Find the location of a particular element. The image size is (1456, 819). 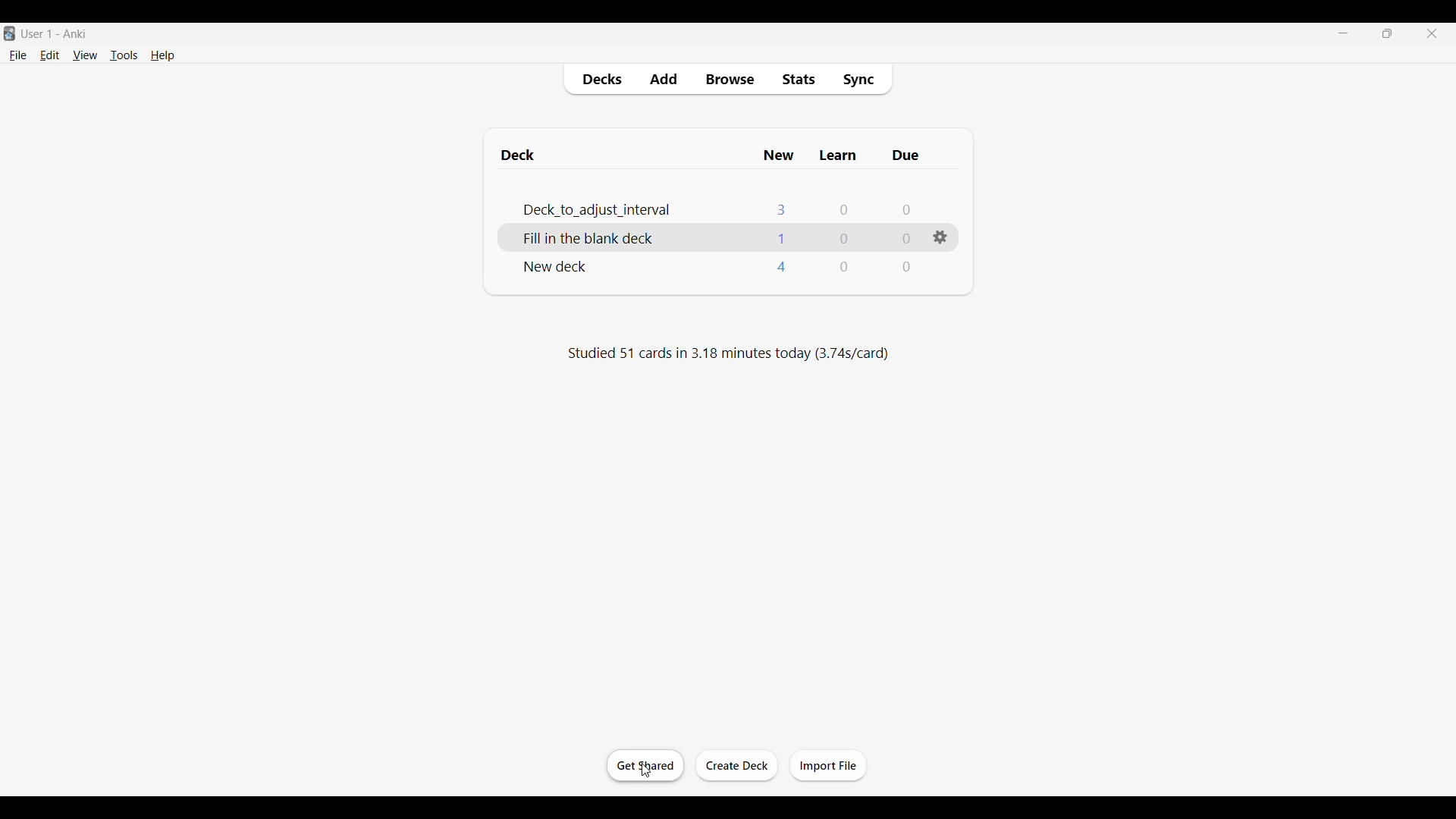

Add is located at coordinates (665, 79).